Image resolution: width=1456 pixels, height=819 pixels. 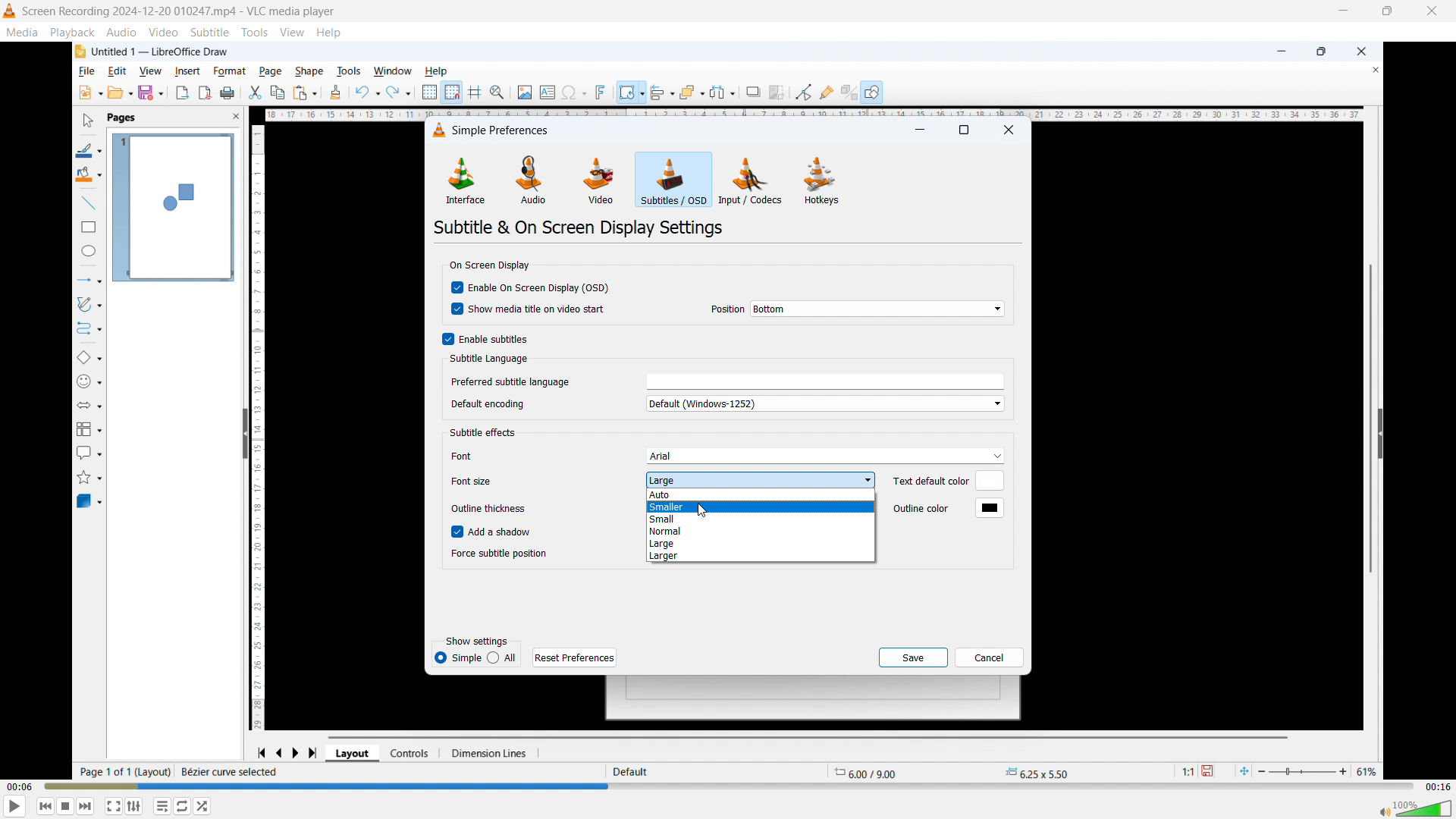 I want to click on Video , so click(x=598, y=180).